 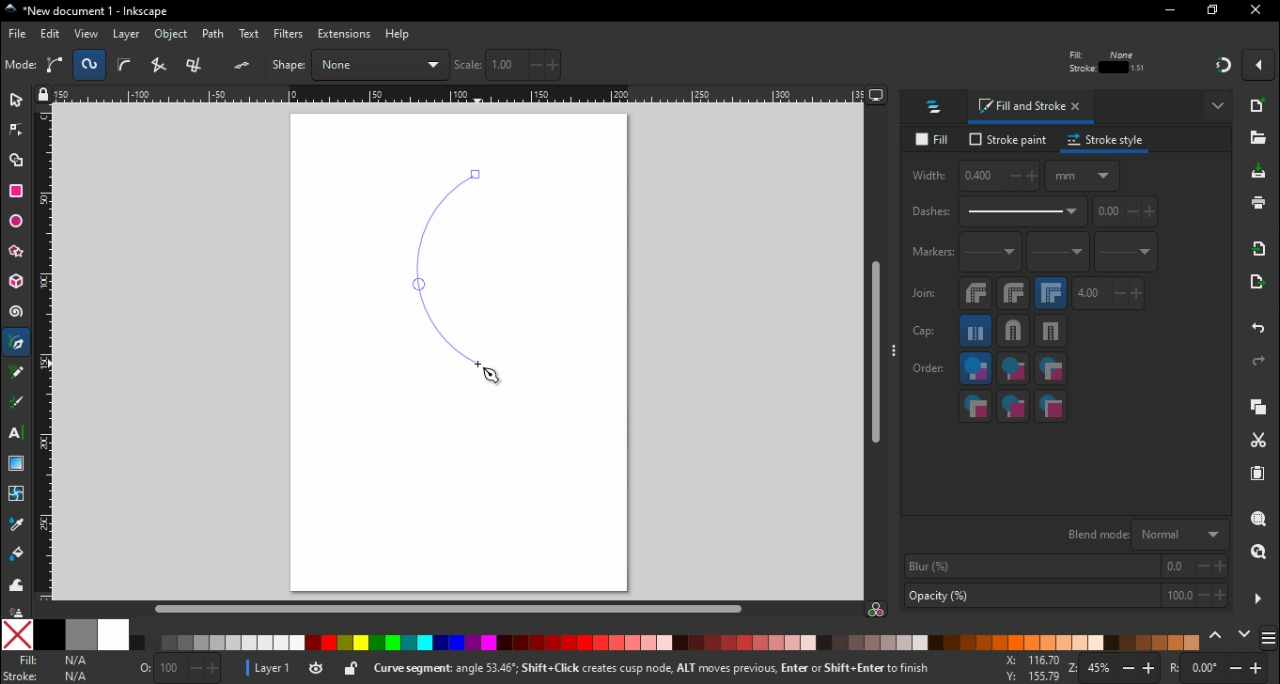 I want to click on calligraphy tool, so click(x=16, y=404).